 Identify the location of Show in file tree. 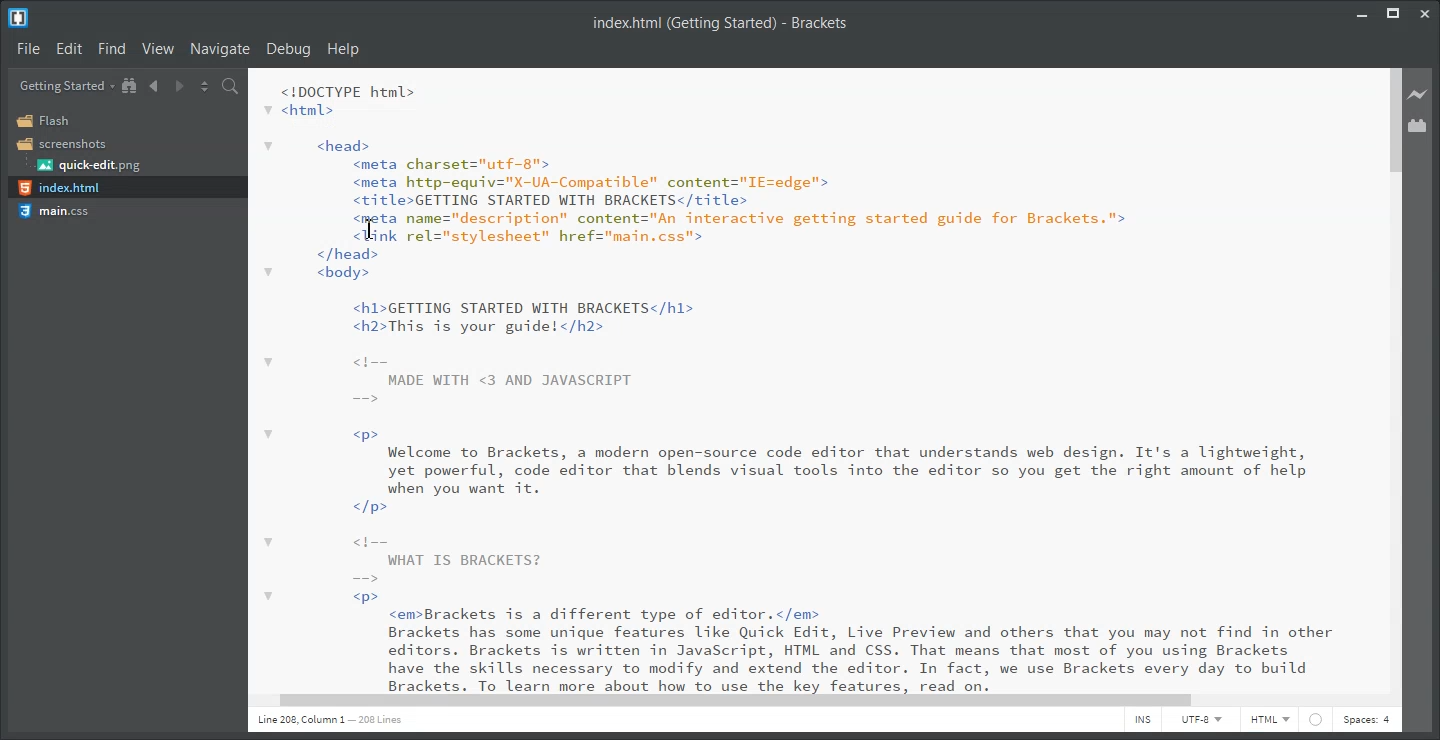
(131, 85).